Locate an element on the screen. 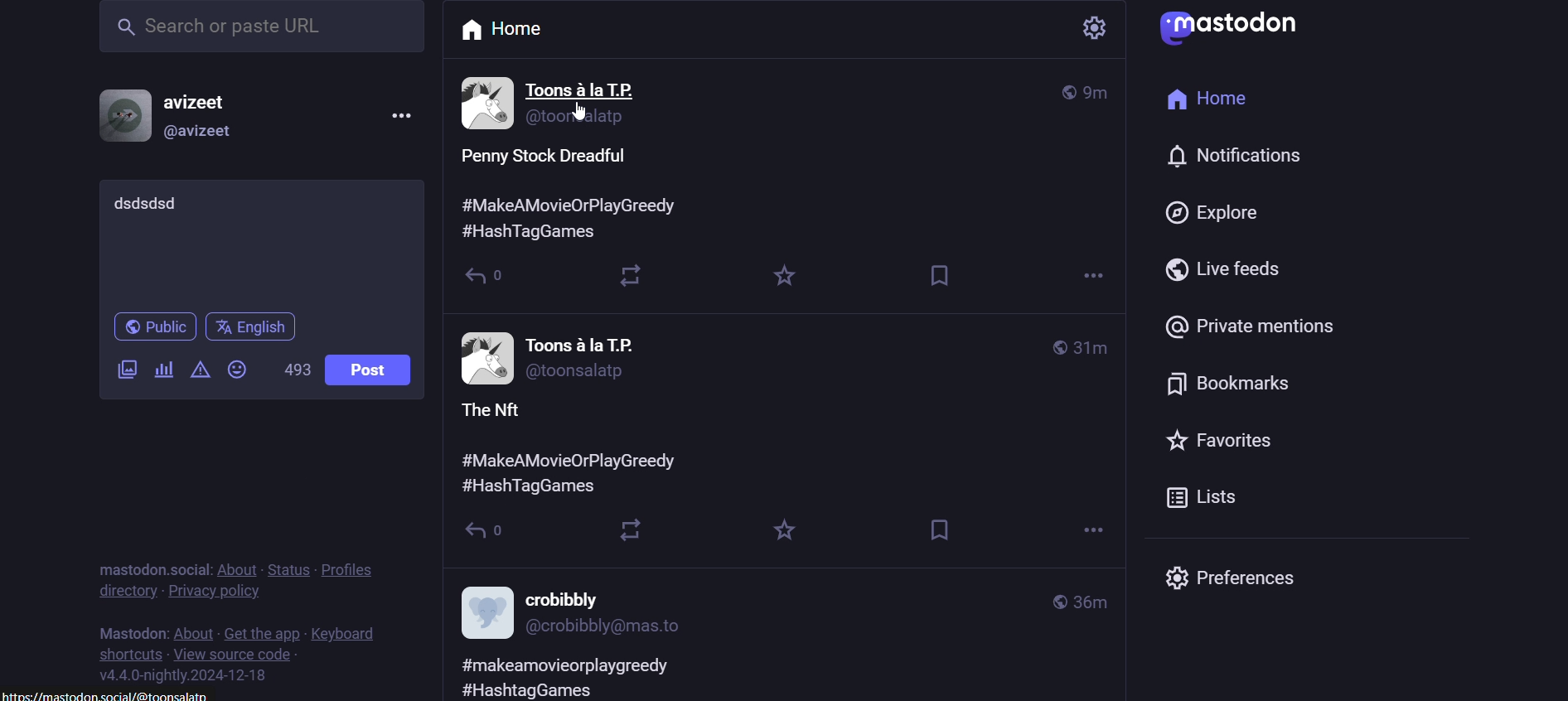 This screenshot has height=701, width=1568.  is located at coordinates (579, 599).